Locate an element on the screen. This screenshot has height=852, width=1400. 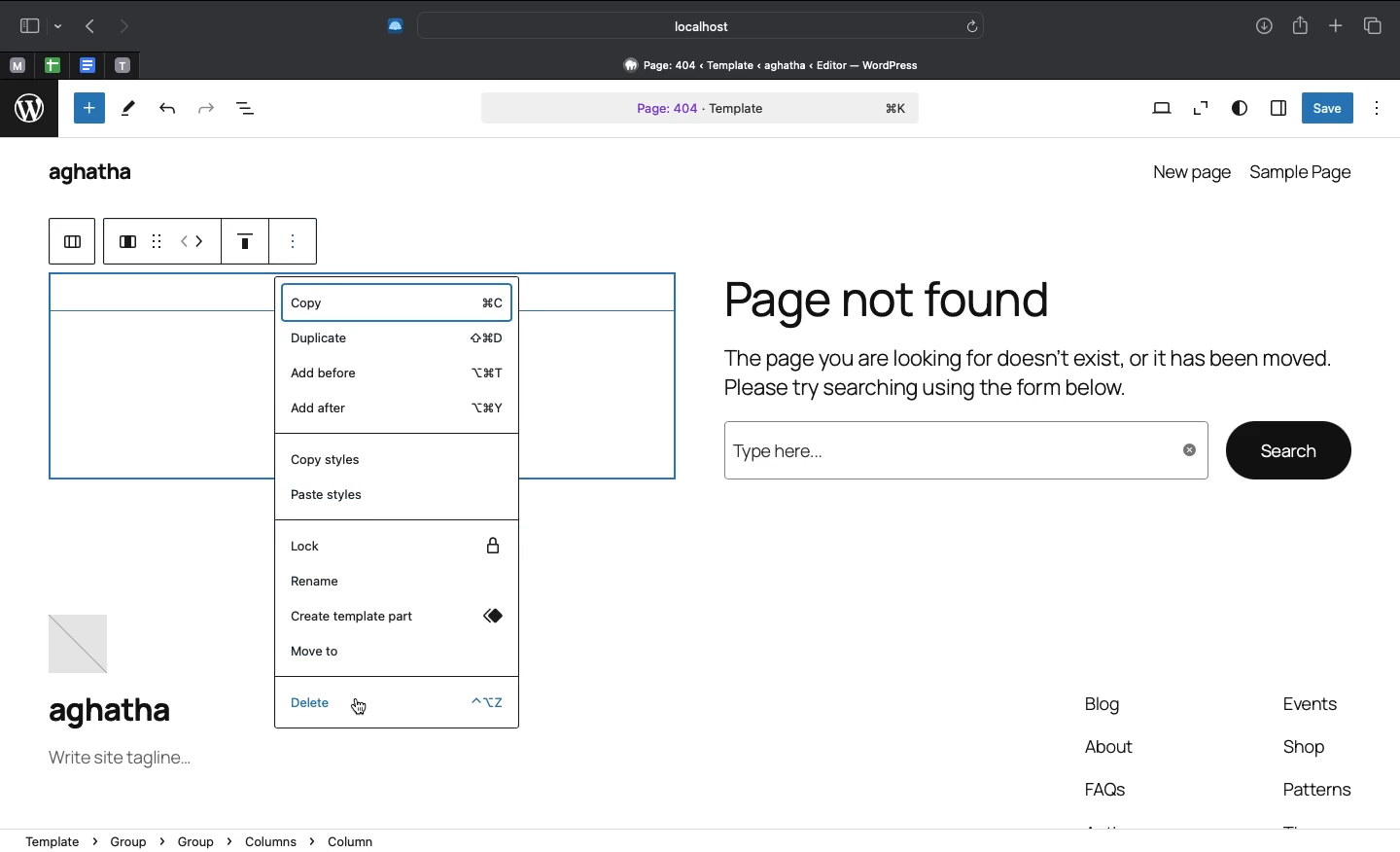
View options is located at coordinates (1241, 109).